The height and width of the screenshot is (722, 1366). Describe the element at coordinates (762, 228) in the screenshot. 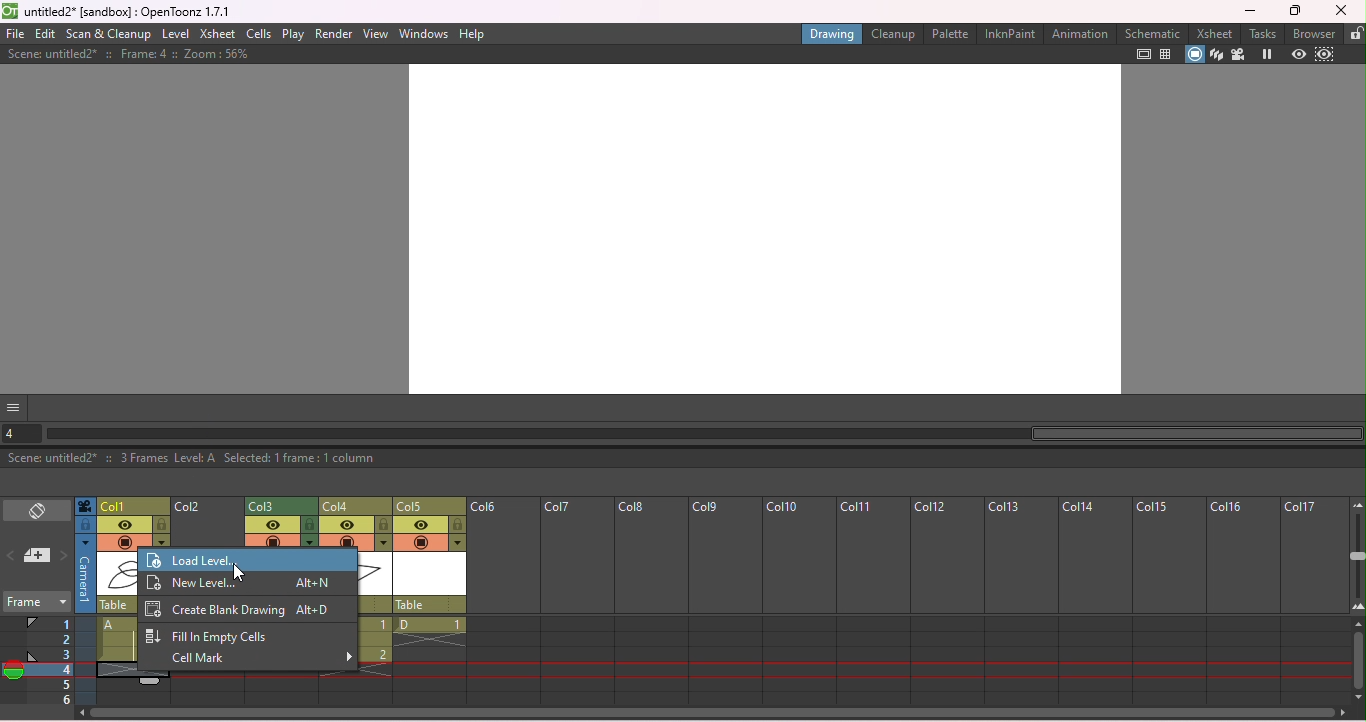

I see `Canvas` at that location.